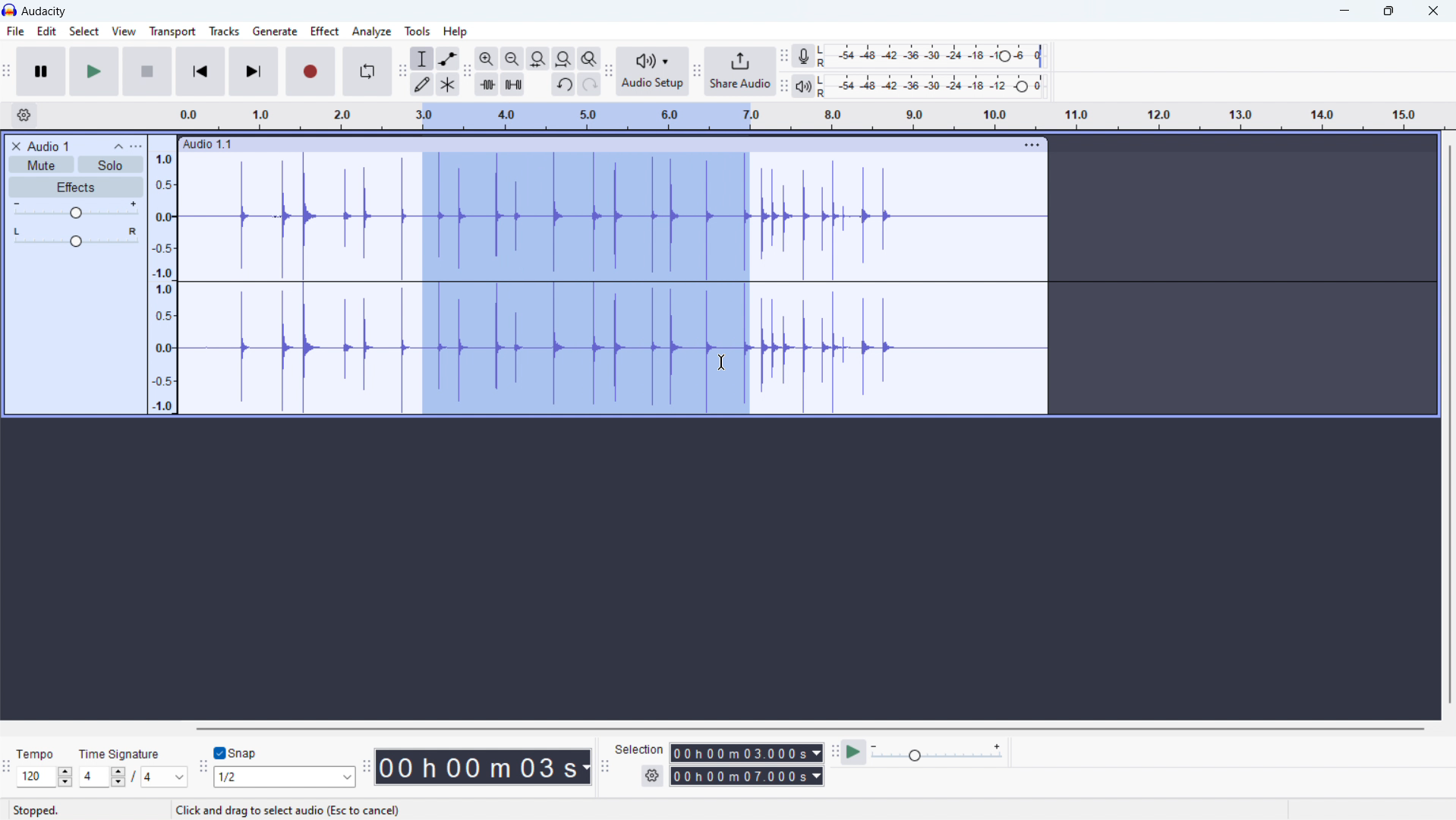 This screenshot has width=1456, height=820. Describe the element at coordinates (487, 84) in the screenshot. I see `trim audio outside selection` at that location.